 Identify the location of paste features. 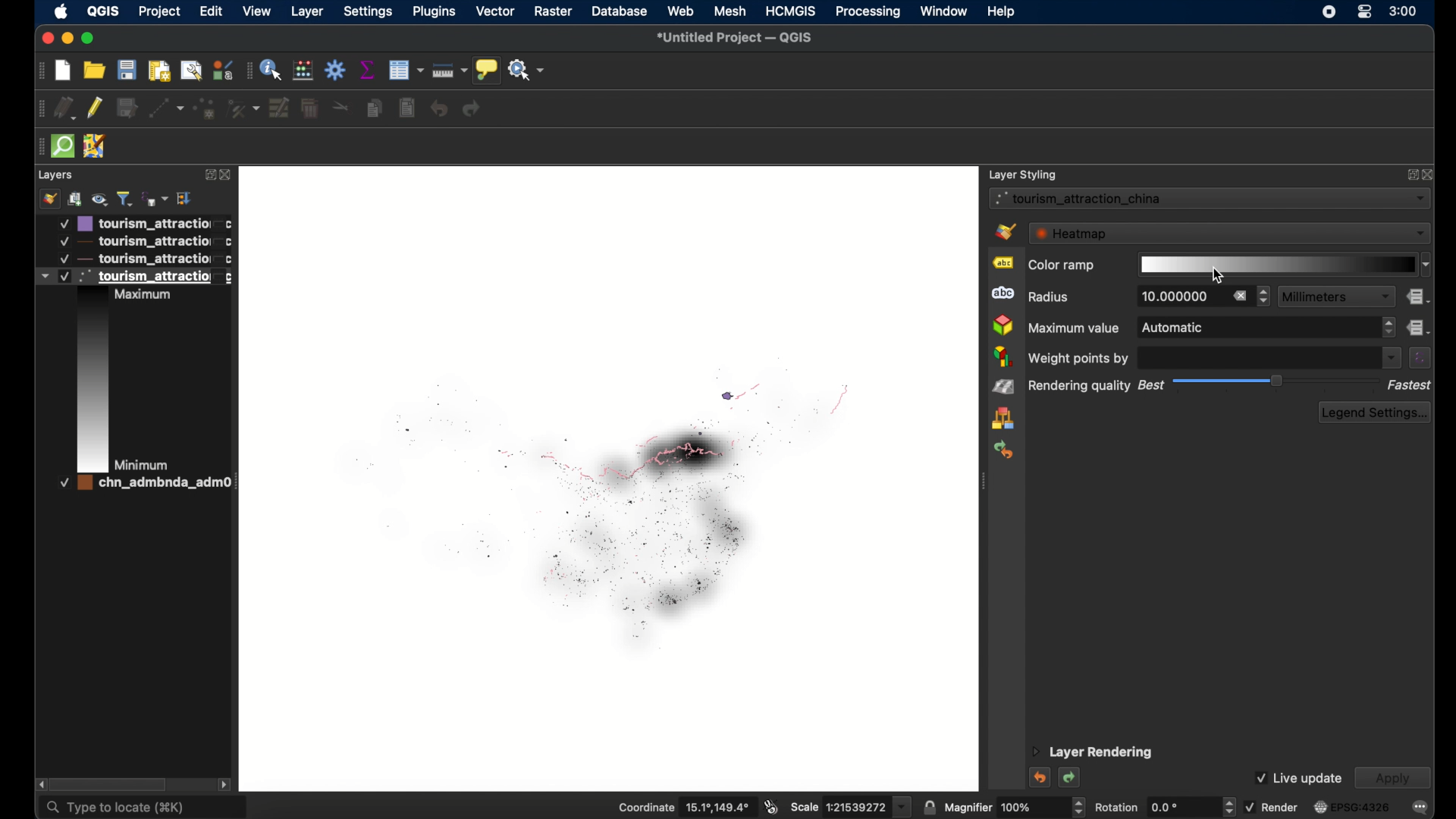
(406, 108).